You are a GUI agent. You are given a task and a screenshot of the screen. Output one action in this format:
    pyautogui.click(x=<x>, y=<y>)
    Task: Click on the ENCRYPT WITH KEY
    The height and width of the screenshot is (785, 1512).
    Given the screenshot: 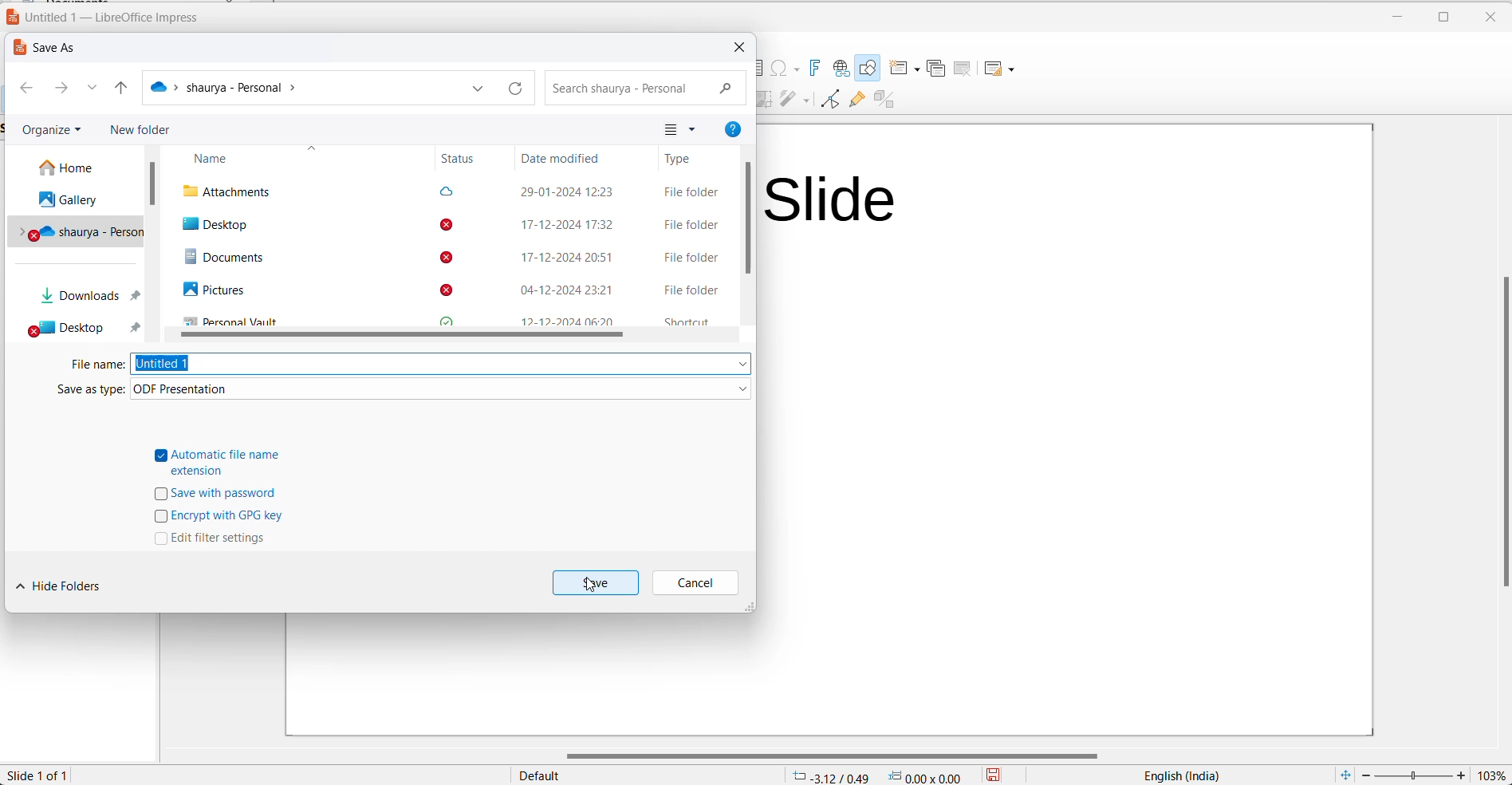 What is the action you would take?
    pyautogui.click(x=220, y=519)
    